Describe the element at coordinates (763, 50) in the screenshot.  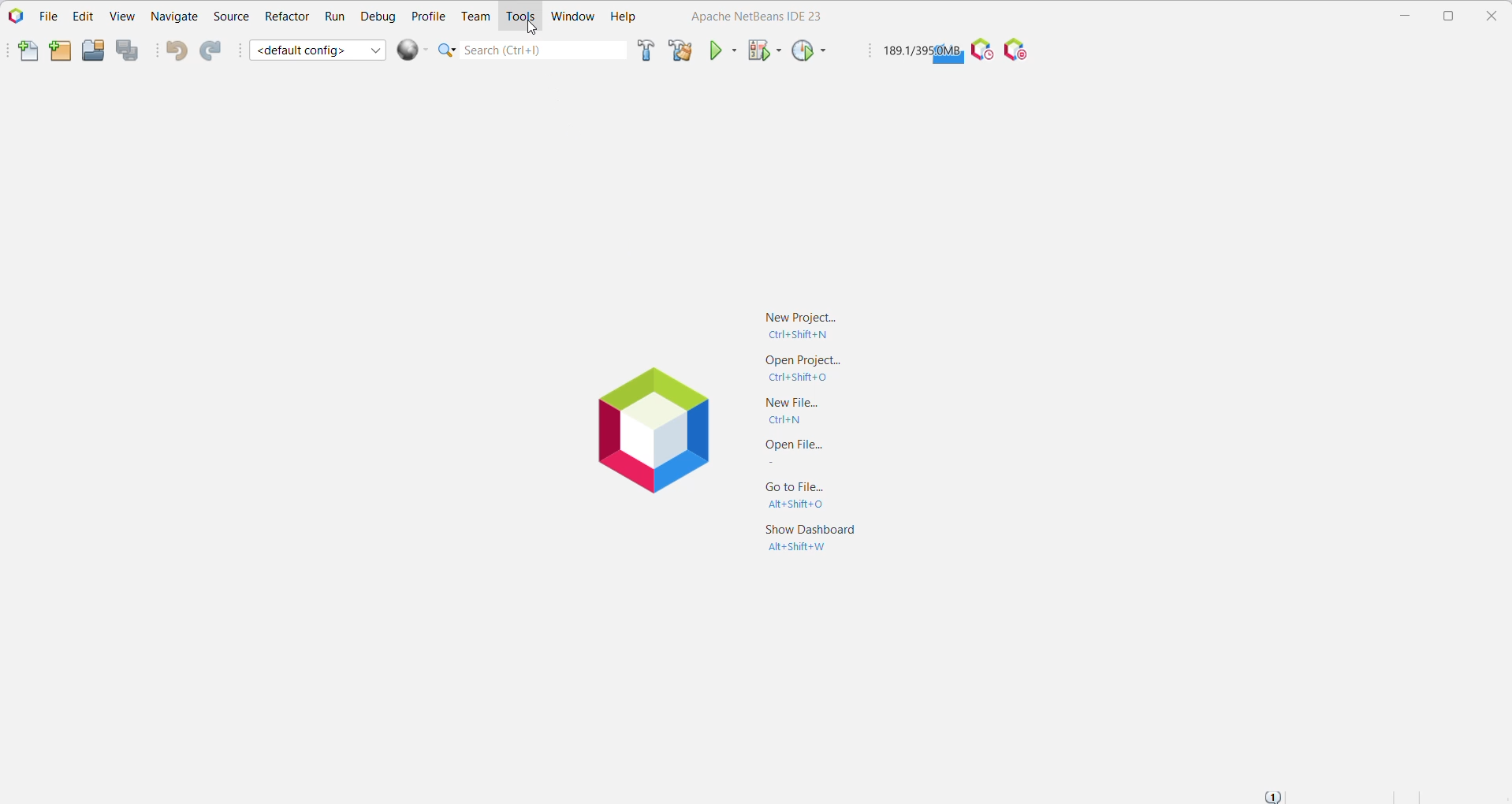
I see `Debug Project` at that location.